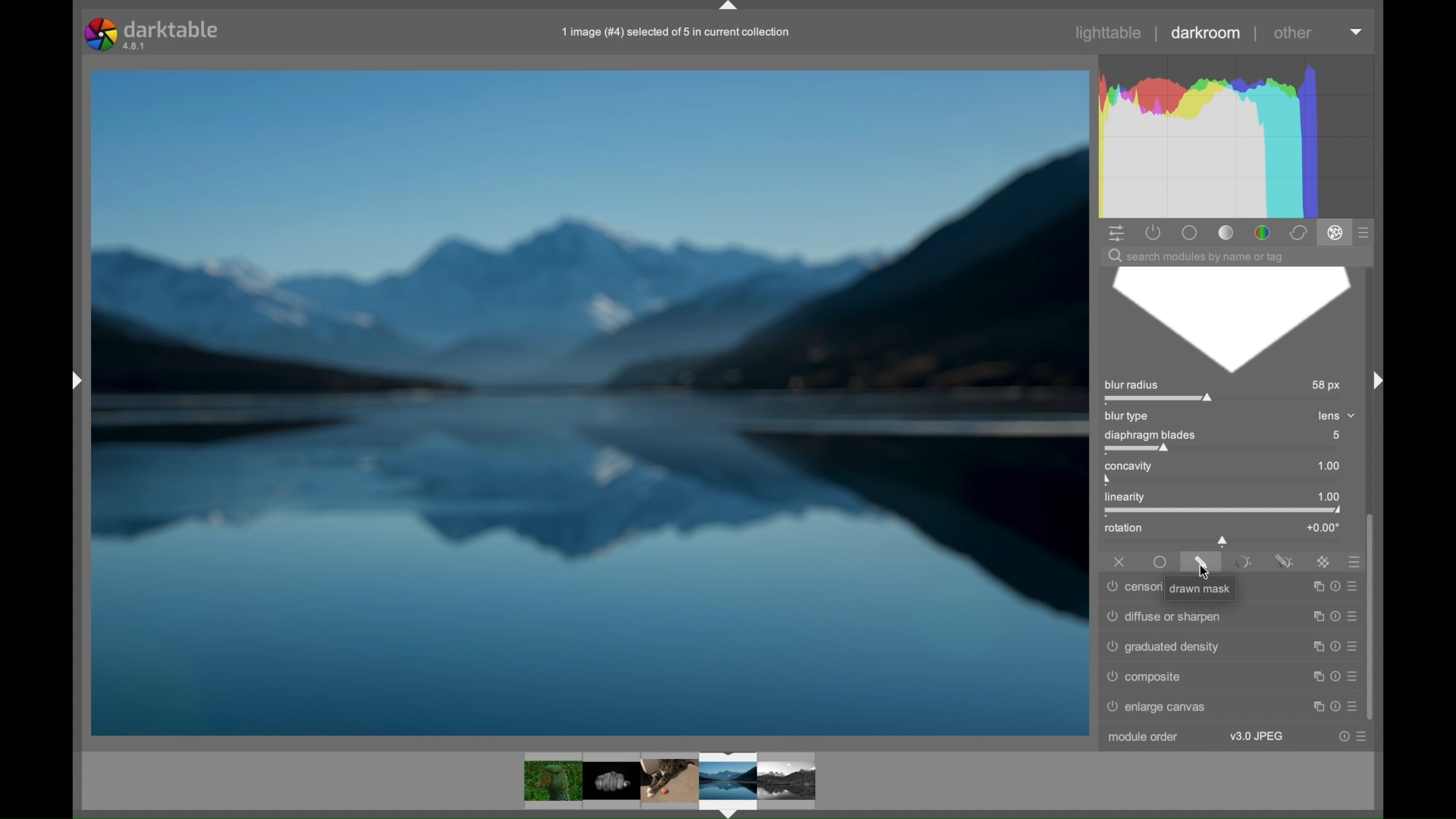 This screenshot has height=819, width=1456. What do you see at coordinates (1110, 33) in the screenshot?
I see `lighttable` at bounding box center [1110, 33].